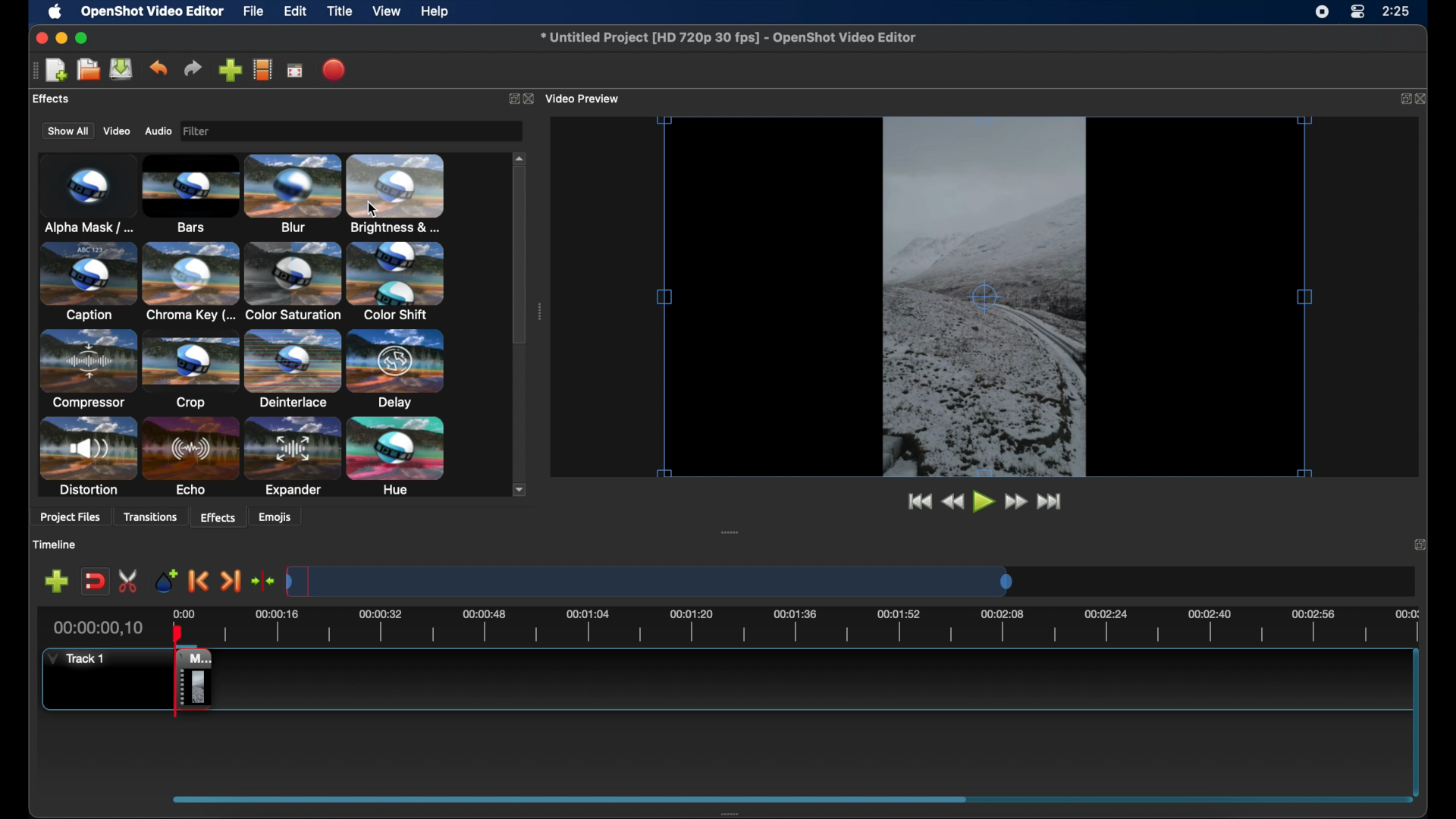  What do you see at coordinates (984, 297) in the screenshot?
I see `video preview` at bounding box center [984, 297].